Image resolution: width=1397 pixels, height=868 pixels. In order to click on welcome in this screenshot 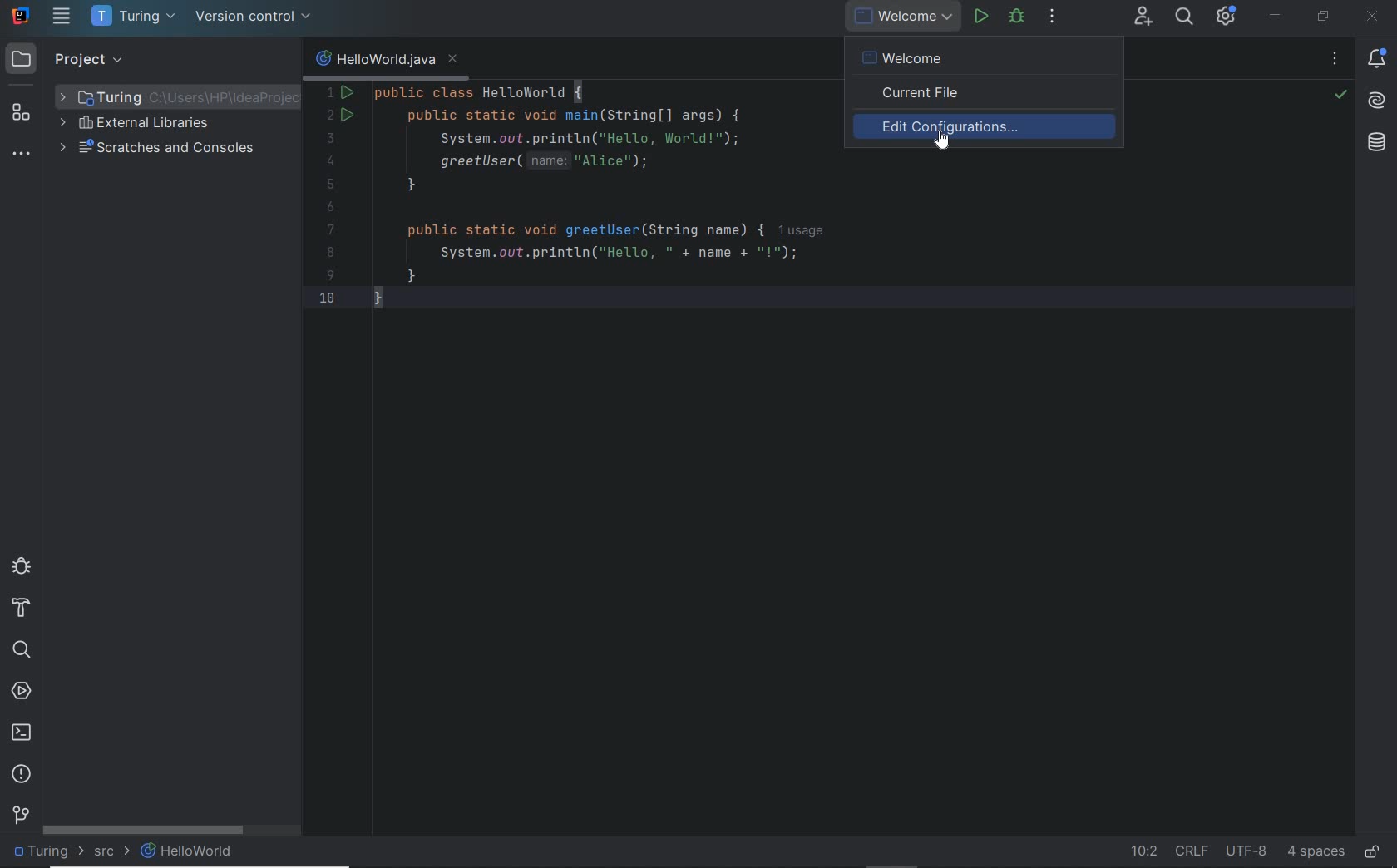, I will do `click(986, 55)`.